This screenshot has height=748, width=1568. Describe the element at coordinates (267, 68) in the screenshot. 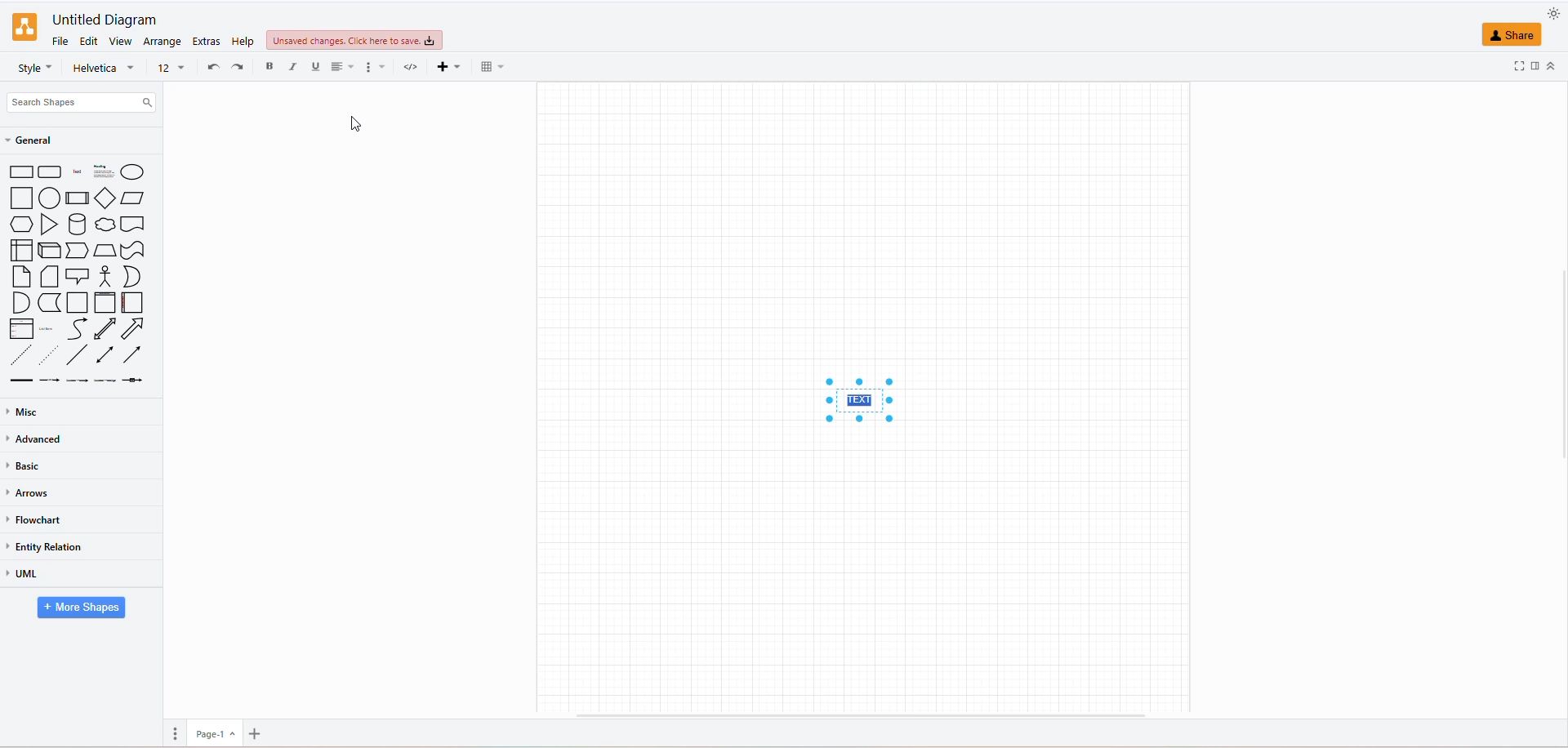

I see `bold` at that location.